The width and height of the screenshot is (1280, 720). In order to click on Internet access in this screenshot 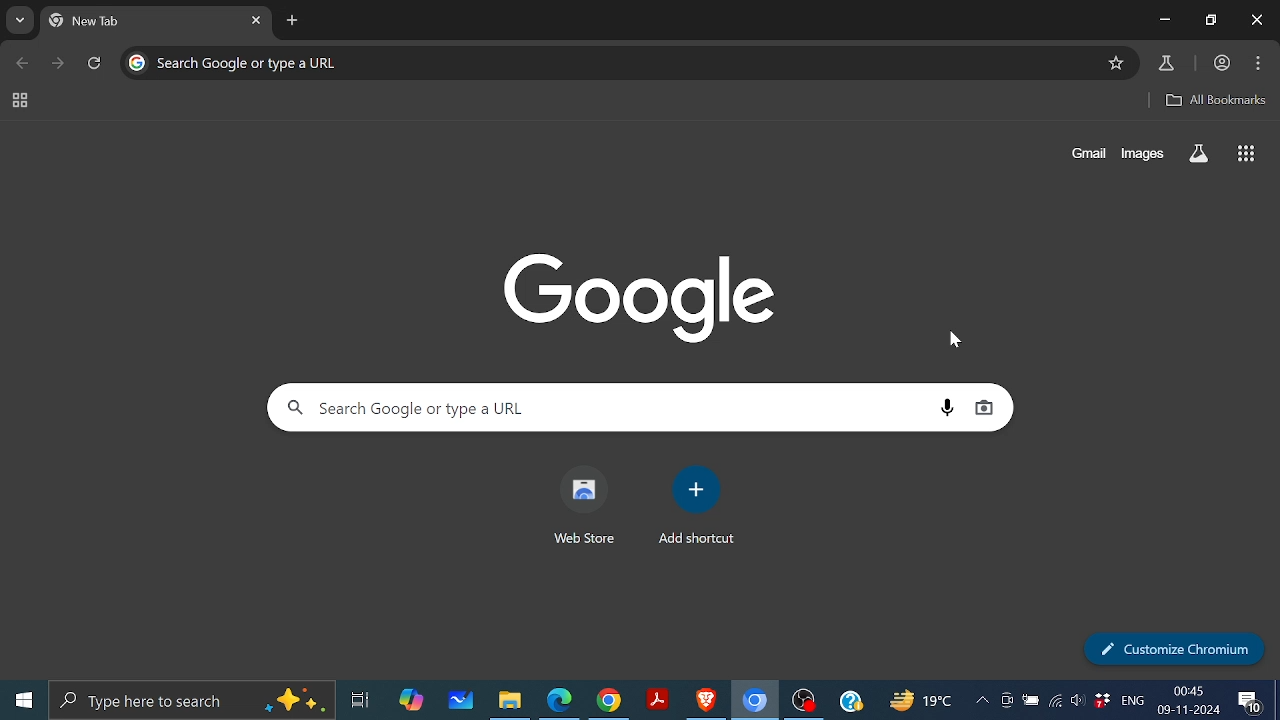, I will do `click(1055, 699)`.